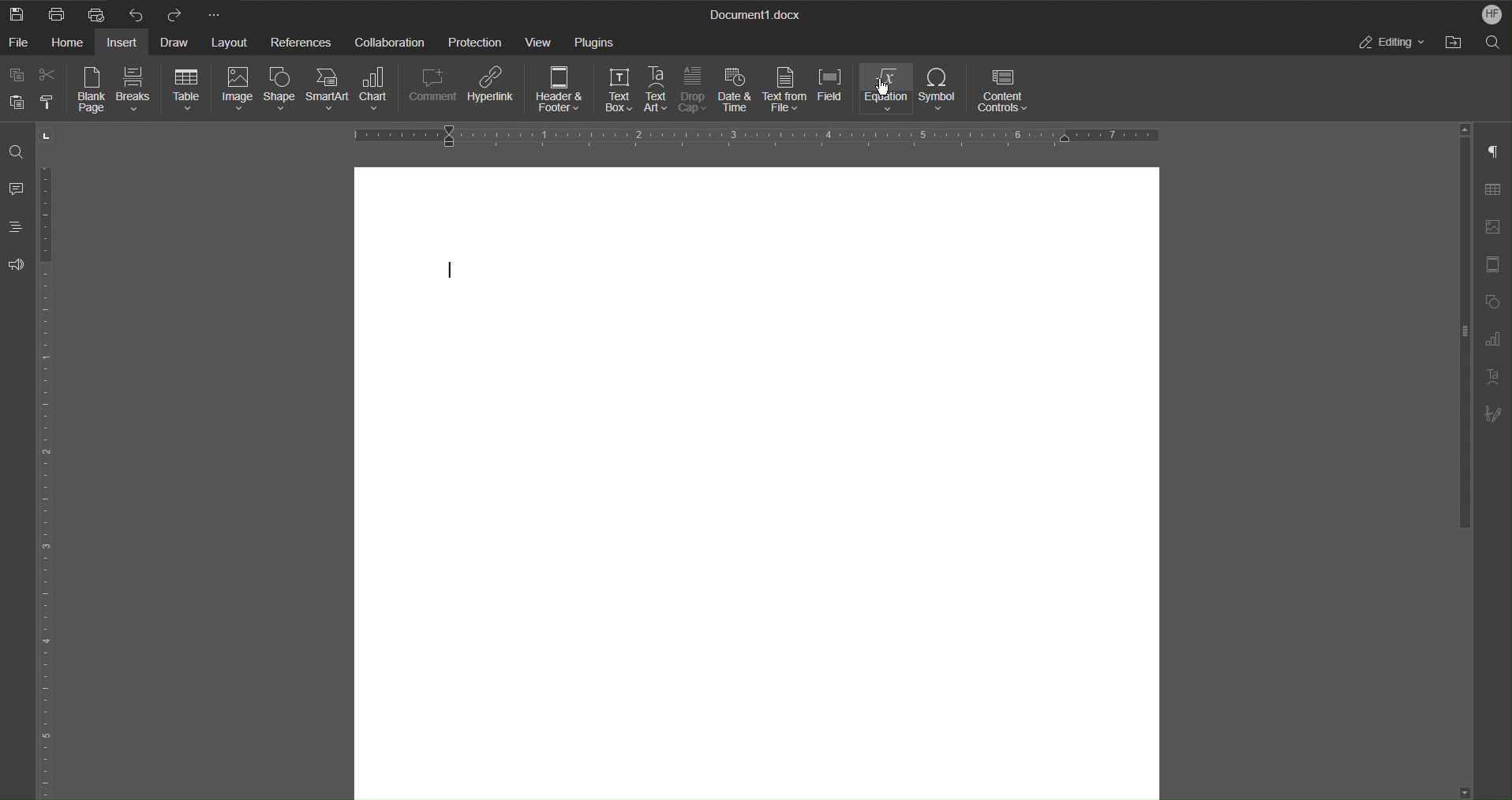  What do you see at coordinates (17, 267) in the screenshot?
I see `Feedback and Support` at bounding box center [17, 267].